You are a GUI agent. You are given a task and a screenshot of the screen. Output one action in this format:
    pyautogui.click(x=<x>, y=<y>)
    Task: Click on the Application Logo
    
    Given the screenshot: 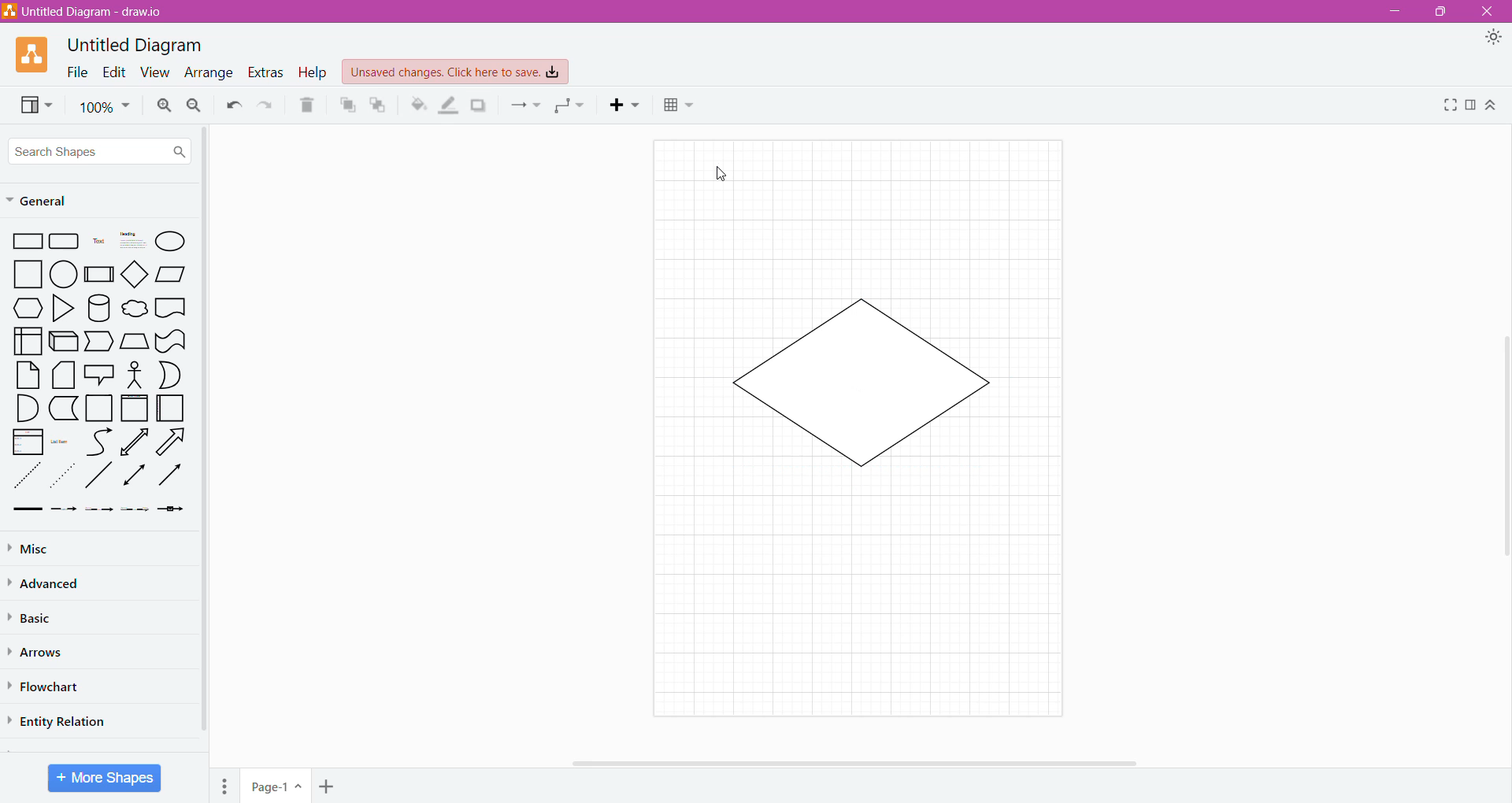 What is the action you would take?
    pyautogui.click(x=34, y=54)
    